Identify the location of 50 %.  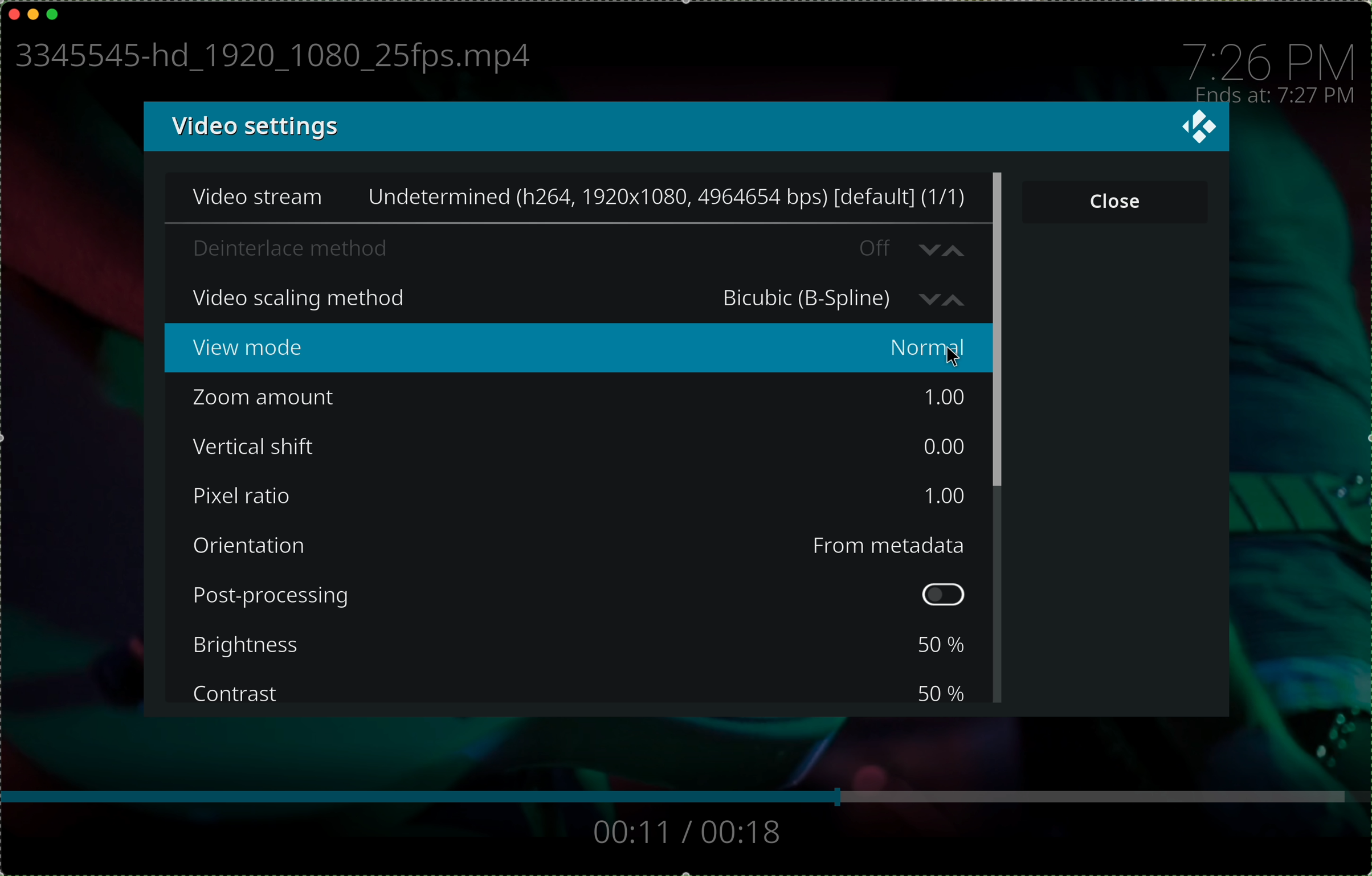
(941, 692).